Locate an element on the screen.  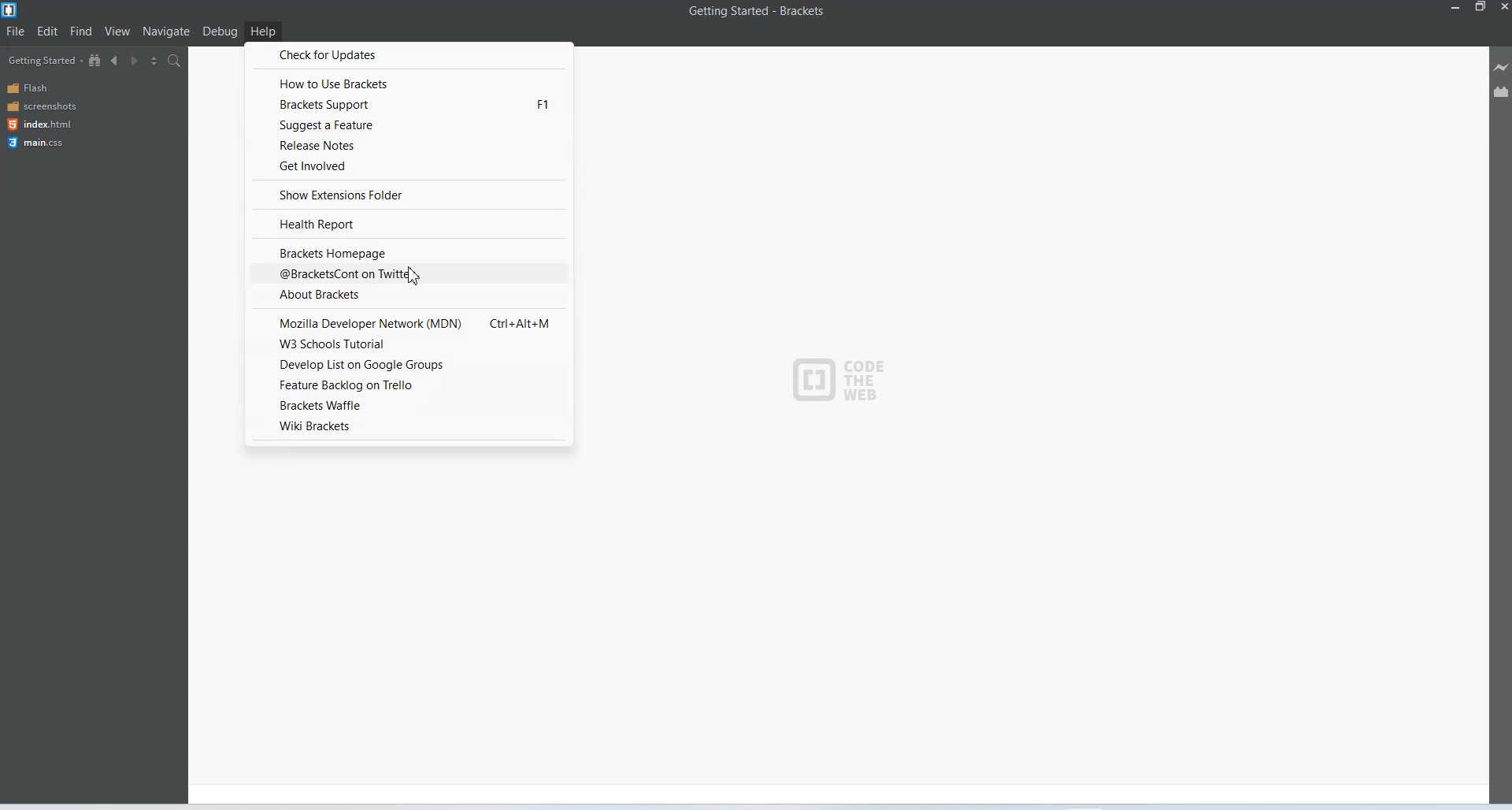
About Brackets is located at coordinates (409, 296).